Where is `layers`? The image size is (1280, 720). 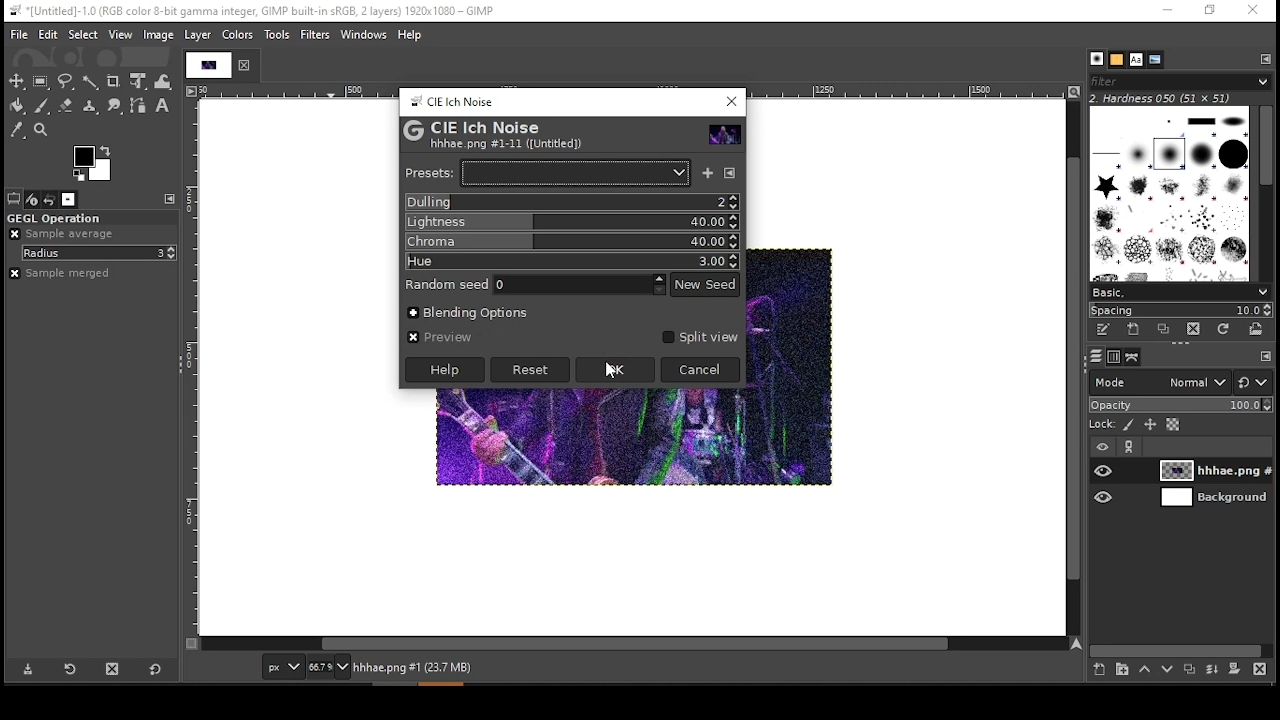
layers is located at coordinates (1092, 358).